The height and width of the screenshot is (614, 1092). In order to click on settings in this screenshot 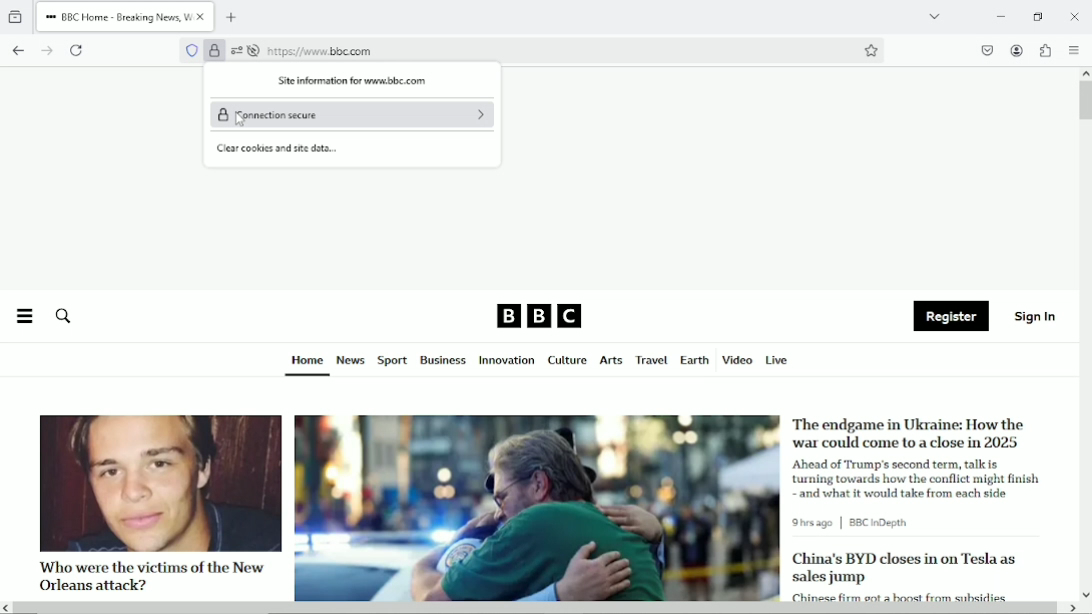, I will do `click(236, 51)`.